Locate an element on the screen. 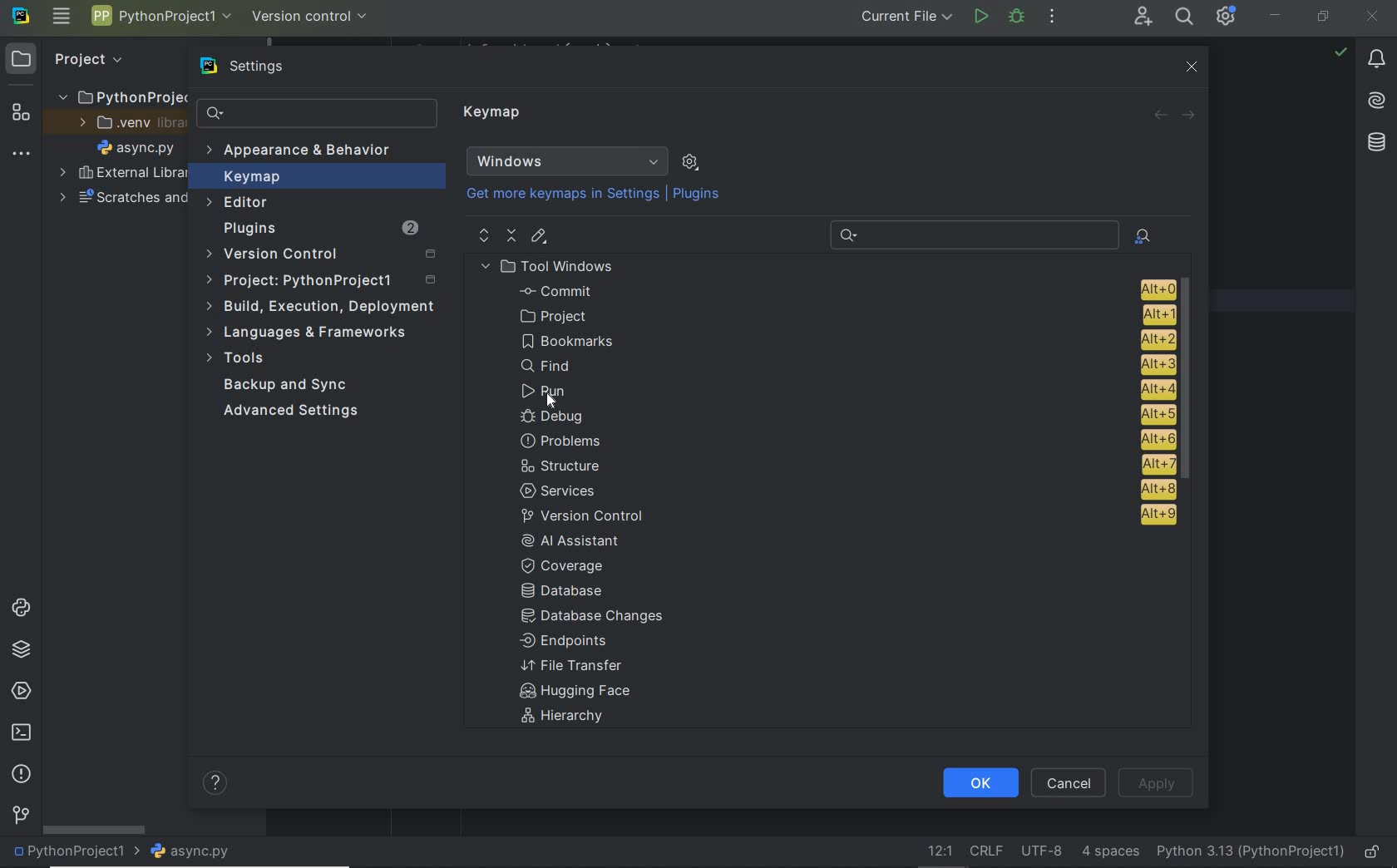 This screenshot has height=868, width=1397. Code With Me is located at coordinates (1143, 17).